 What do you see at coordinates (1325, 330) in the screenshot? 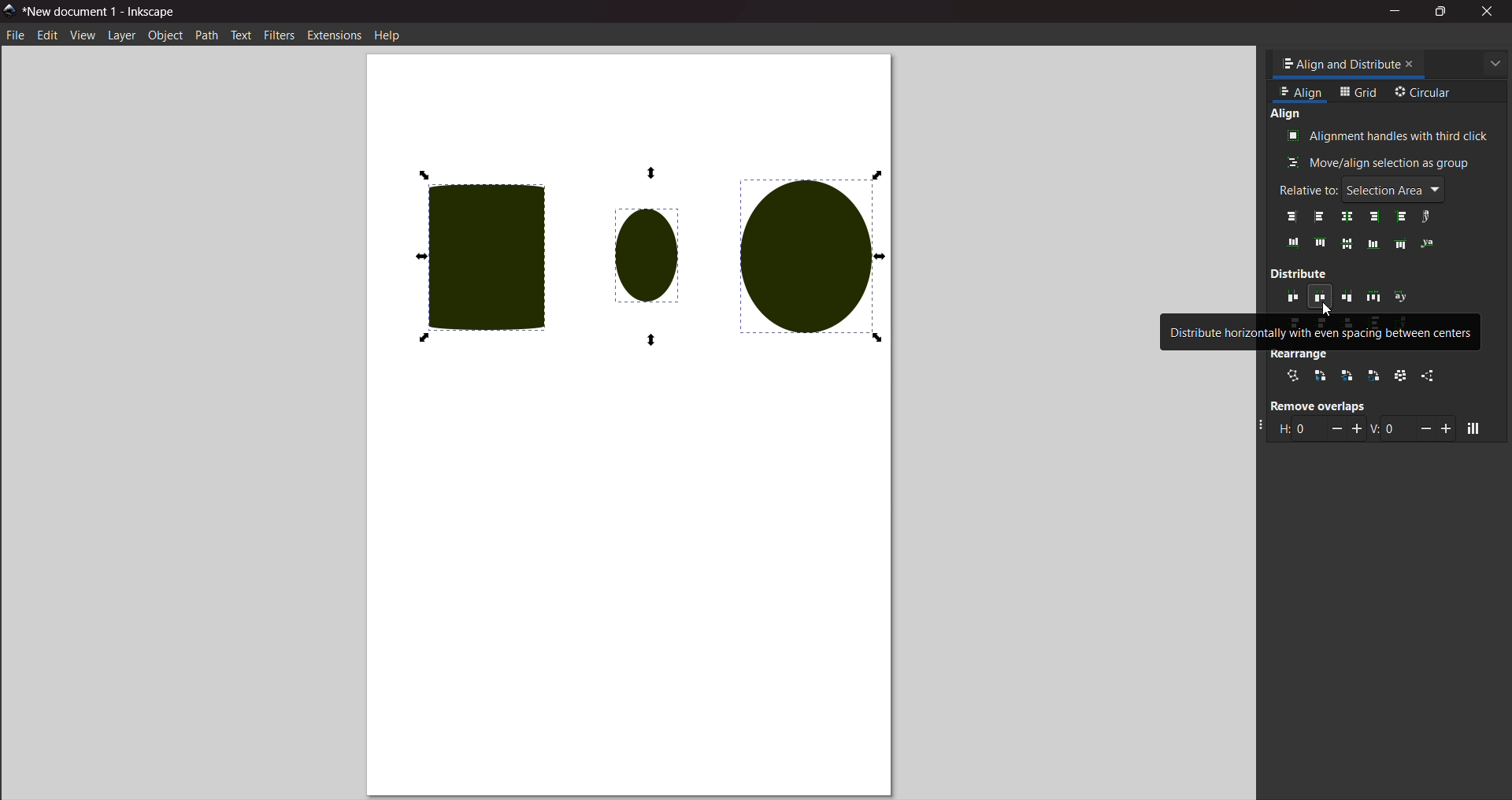
I see `distribute horizontally with even spacing between centers` at bounding box center [1325, 330].